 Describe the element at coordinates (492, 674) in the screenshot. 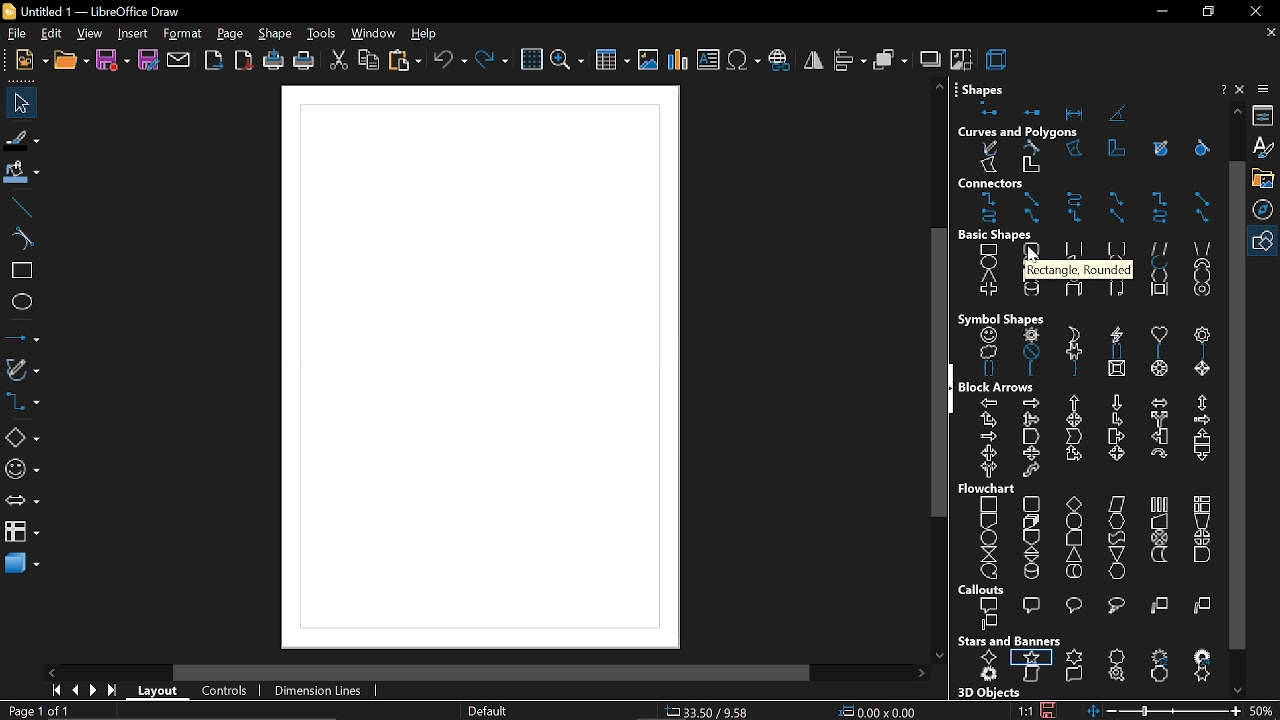

I see `scroll bar` at that location.